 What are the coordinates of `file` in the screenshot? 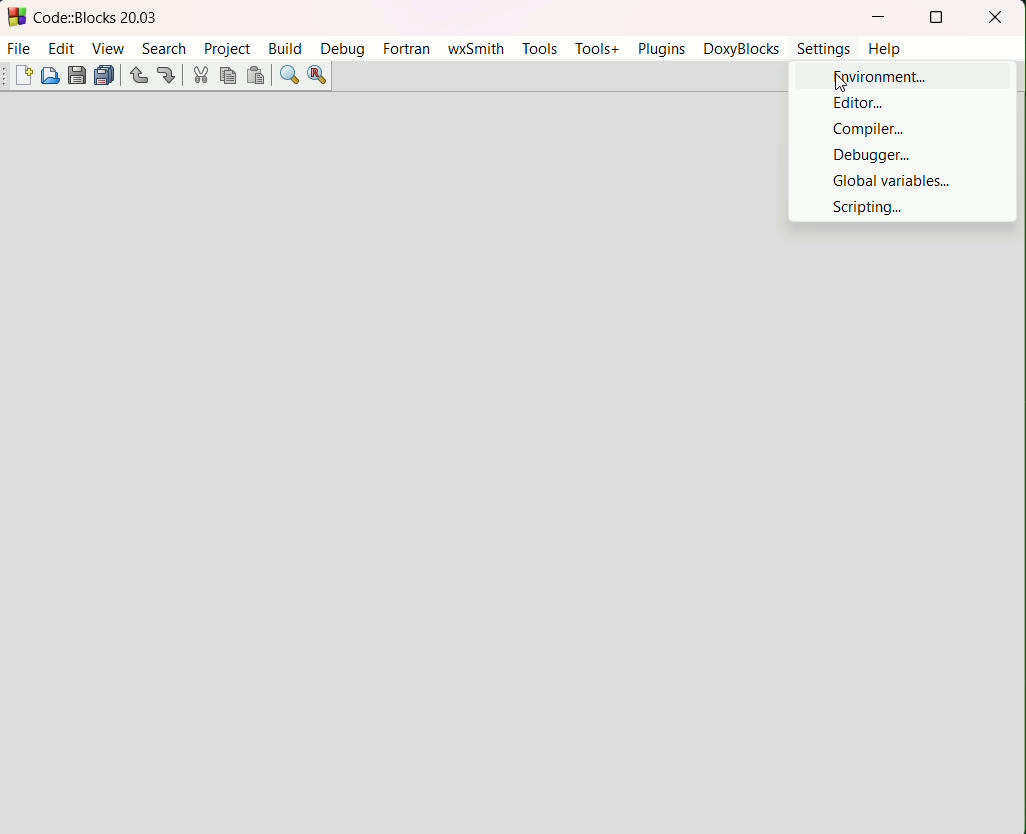 It's located at (20, 47).